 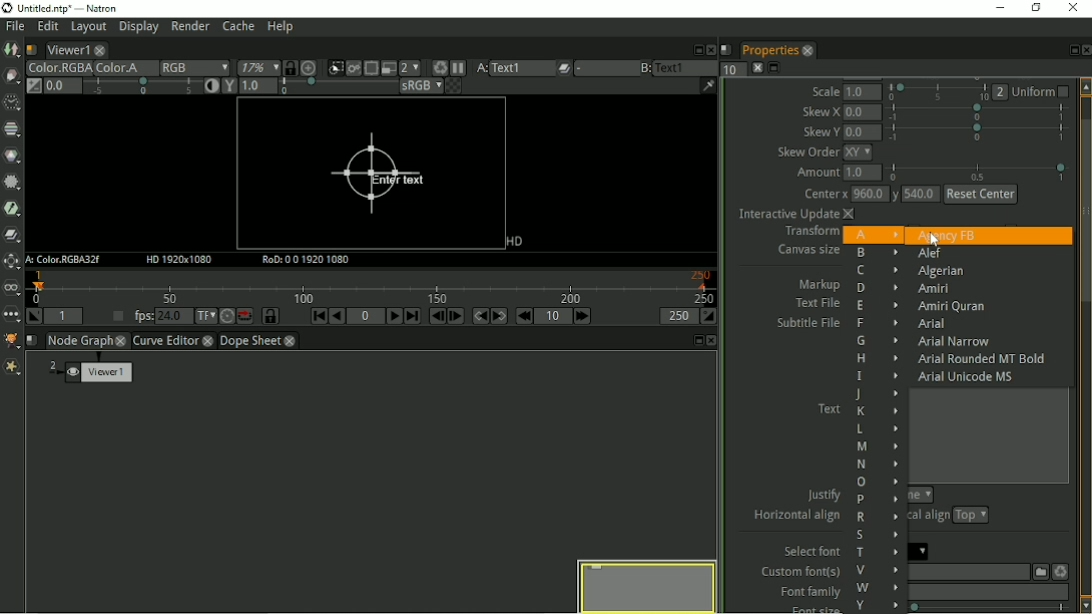 I want to click on 1.0, so click(x=865, y=92).